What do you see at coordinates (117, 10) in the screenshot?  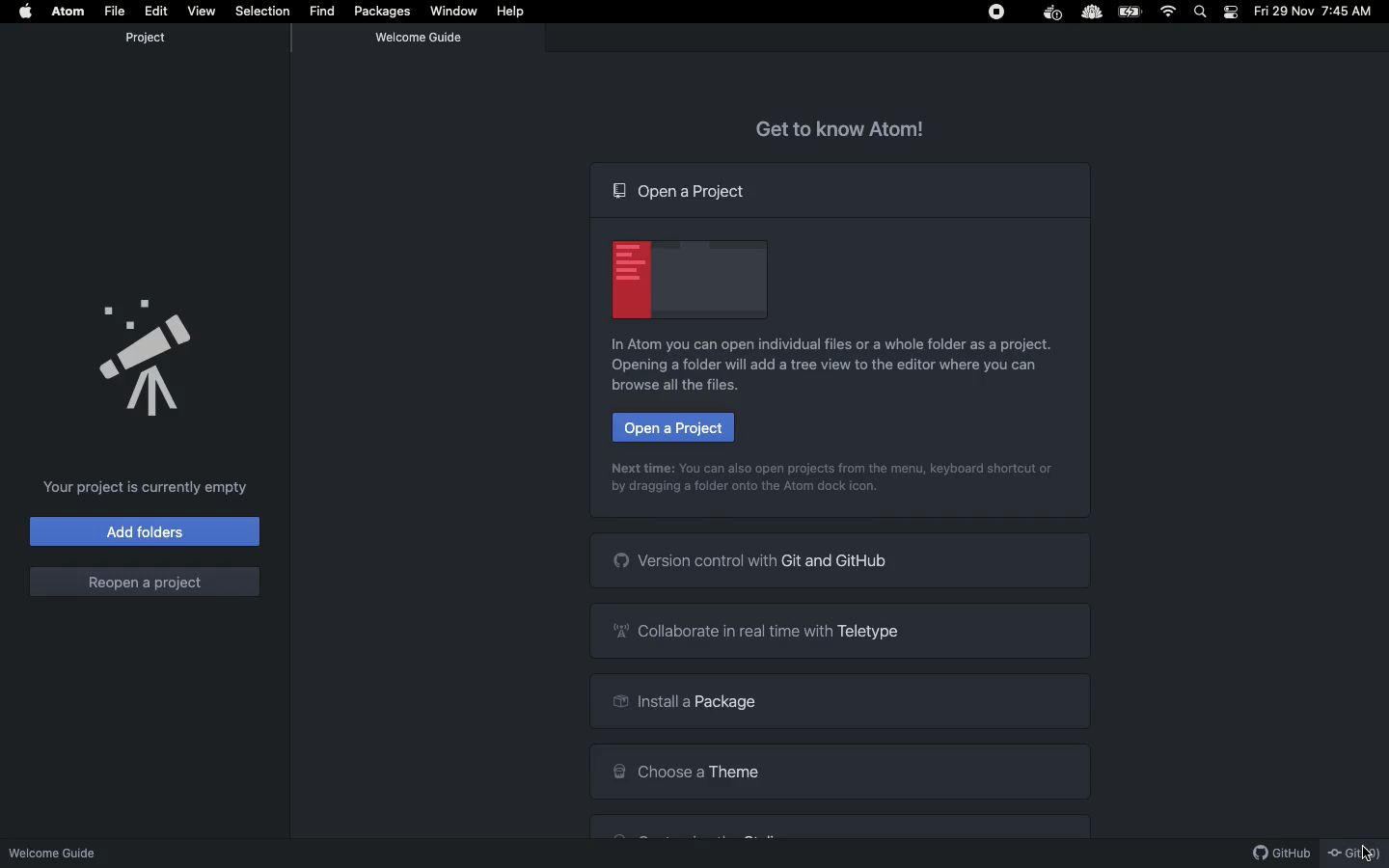 I see `File` at bounding box center [117, 10].